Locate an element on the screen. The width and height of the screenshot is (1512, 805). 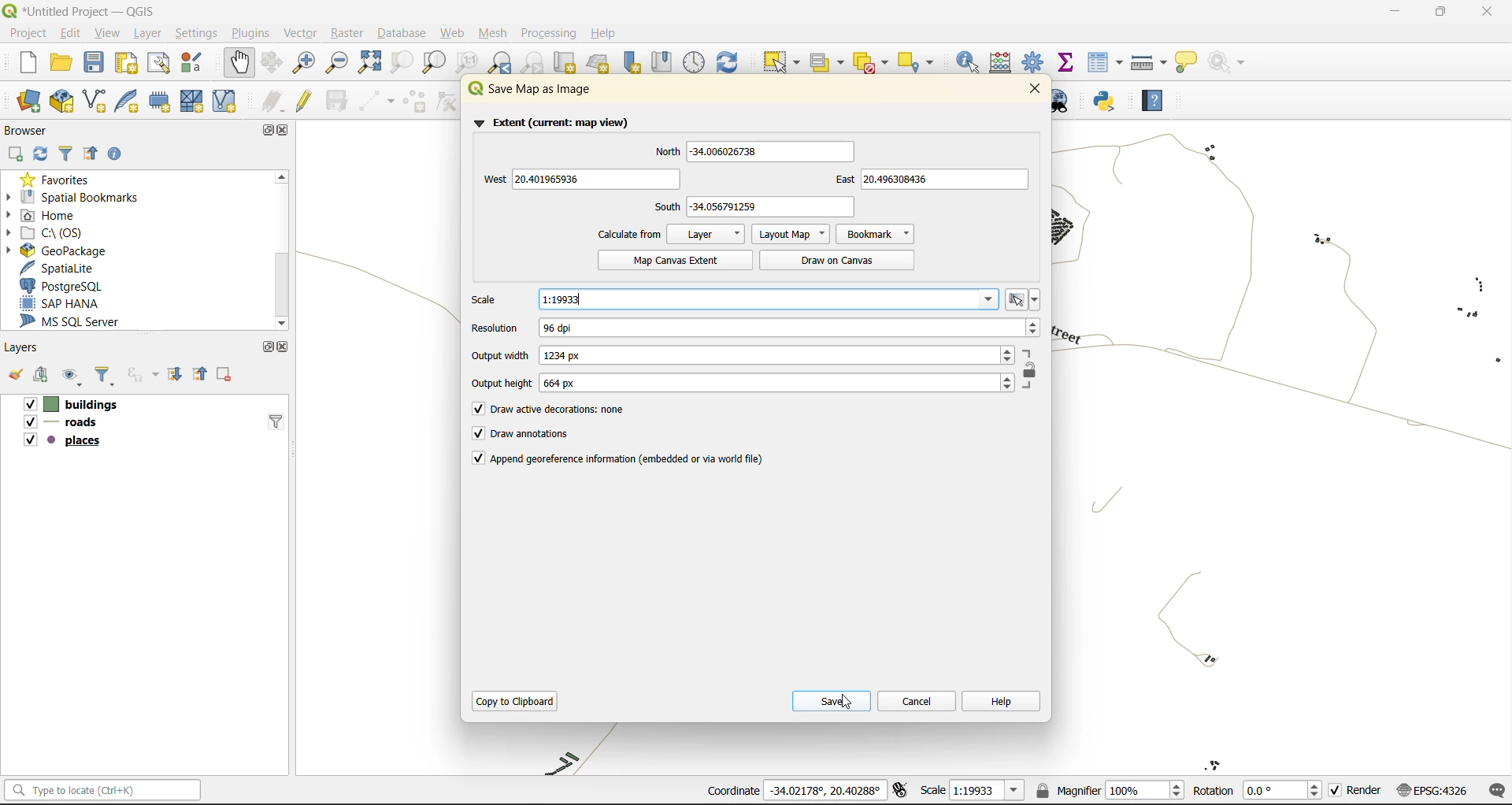
status bar is located at coordinates (100, 791).